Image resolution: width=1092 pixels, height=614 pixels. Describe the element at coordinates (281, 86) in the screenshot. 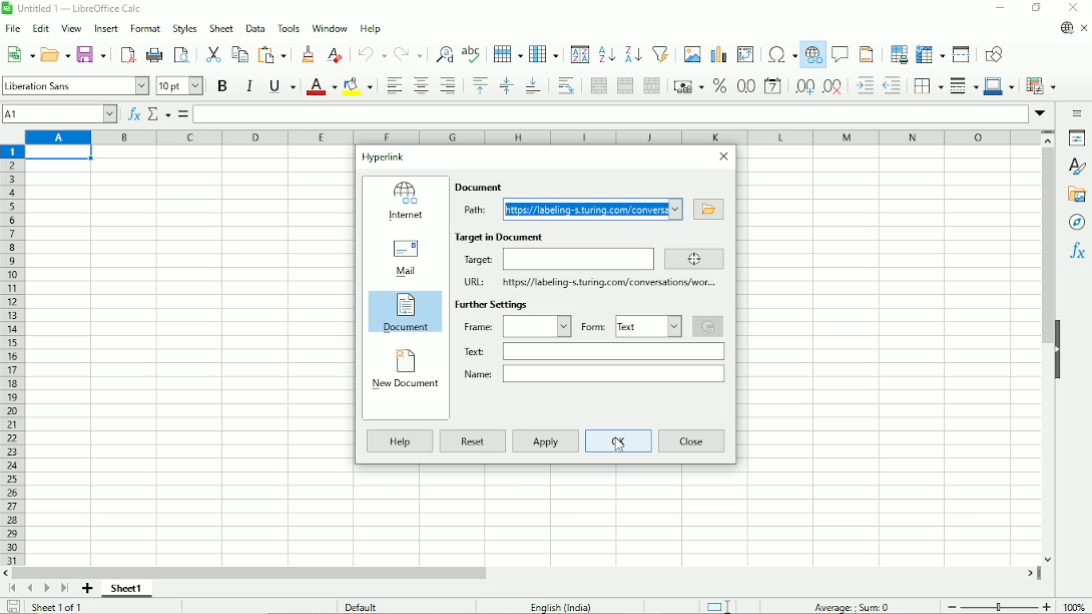

I see `Underline` at that location.